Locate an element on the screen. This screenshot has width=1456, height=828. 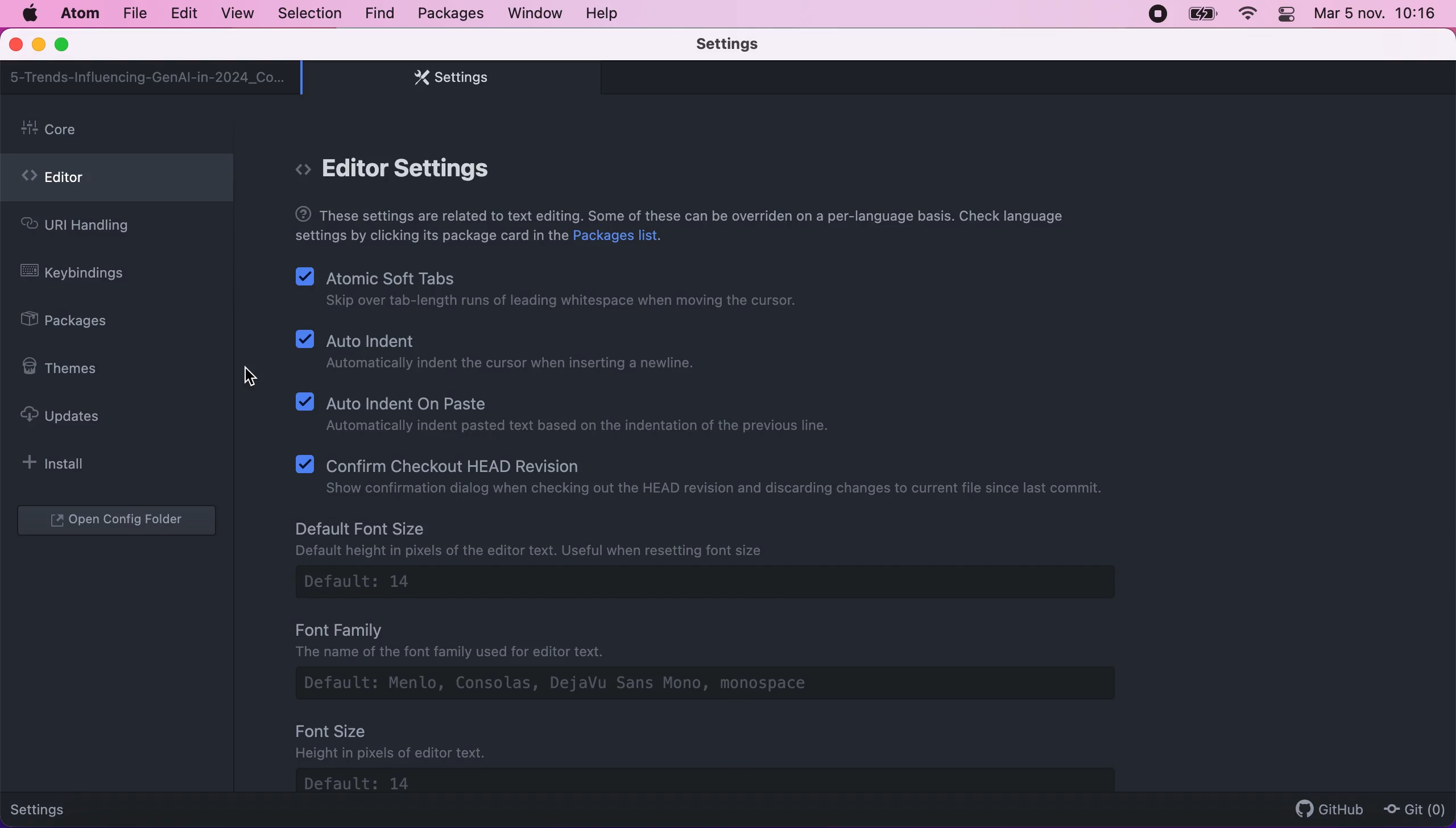
find is located at coordinates (379, 14).